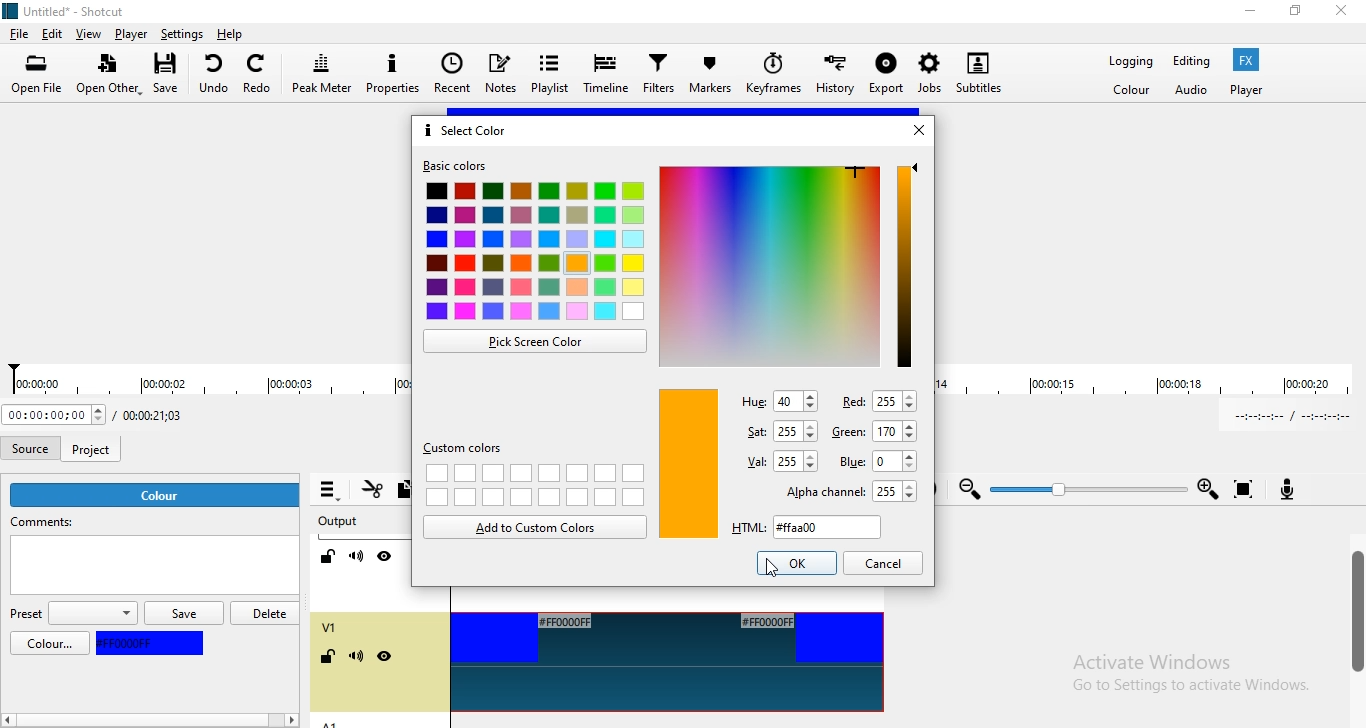 The height and width of the screenshot is (728, 1366). Describe the element at coordinates (885, 77) in the screenshot. I see `Export` at that location.